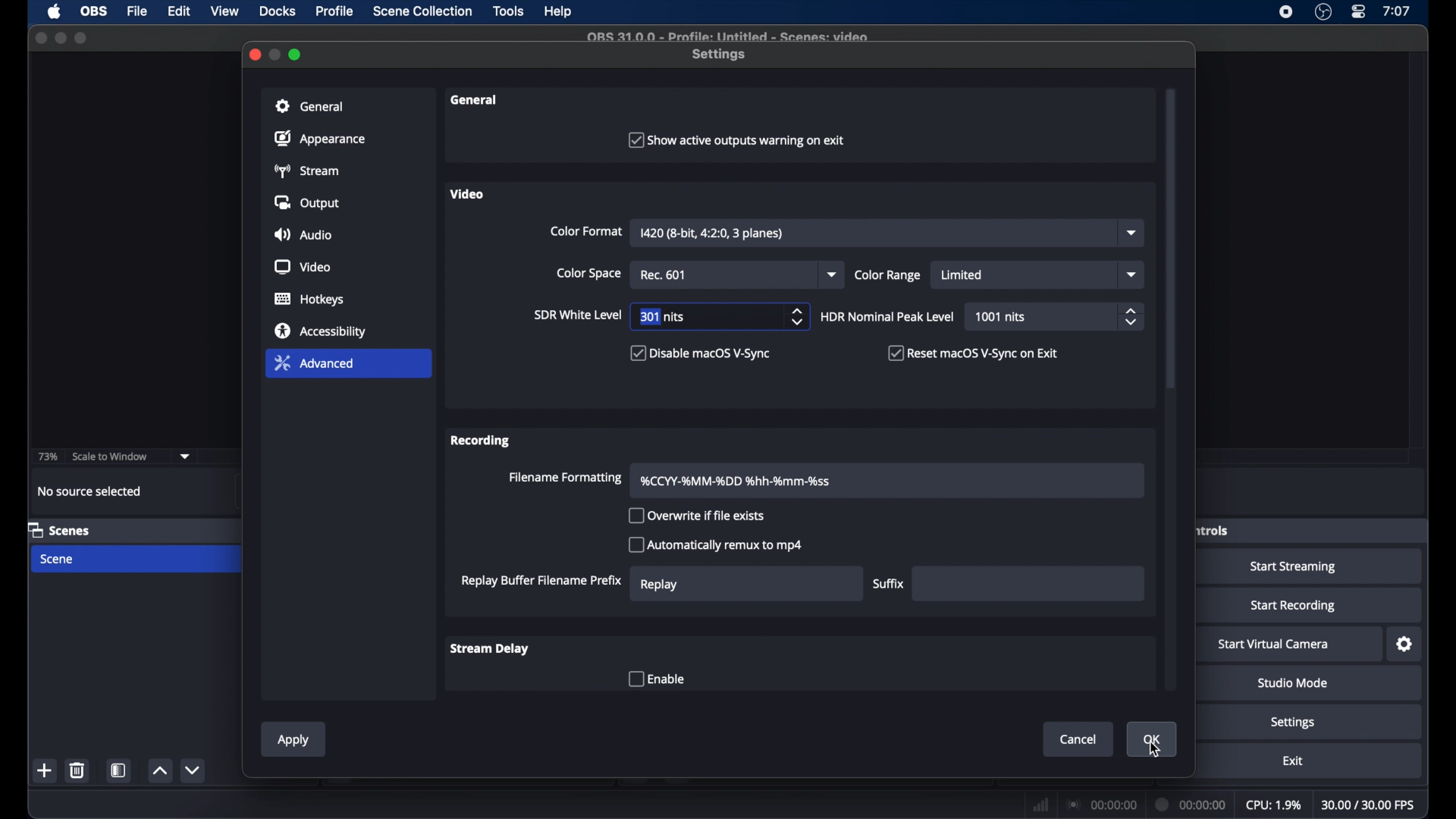  What do you see at coordinates (962, 275) in the screenshot?
I see `limited` at bounding box center [962, 275].